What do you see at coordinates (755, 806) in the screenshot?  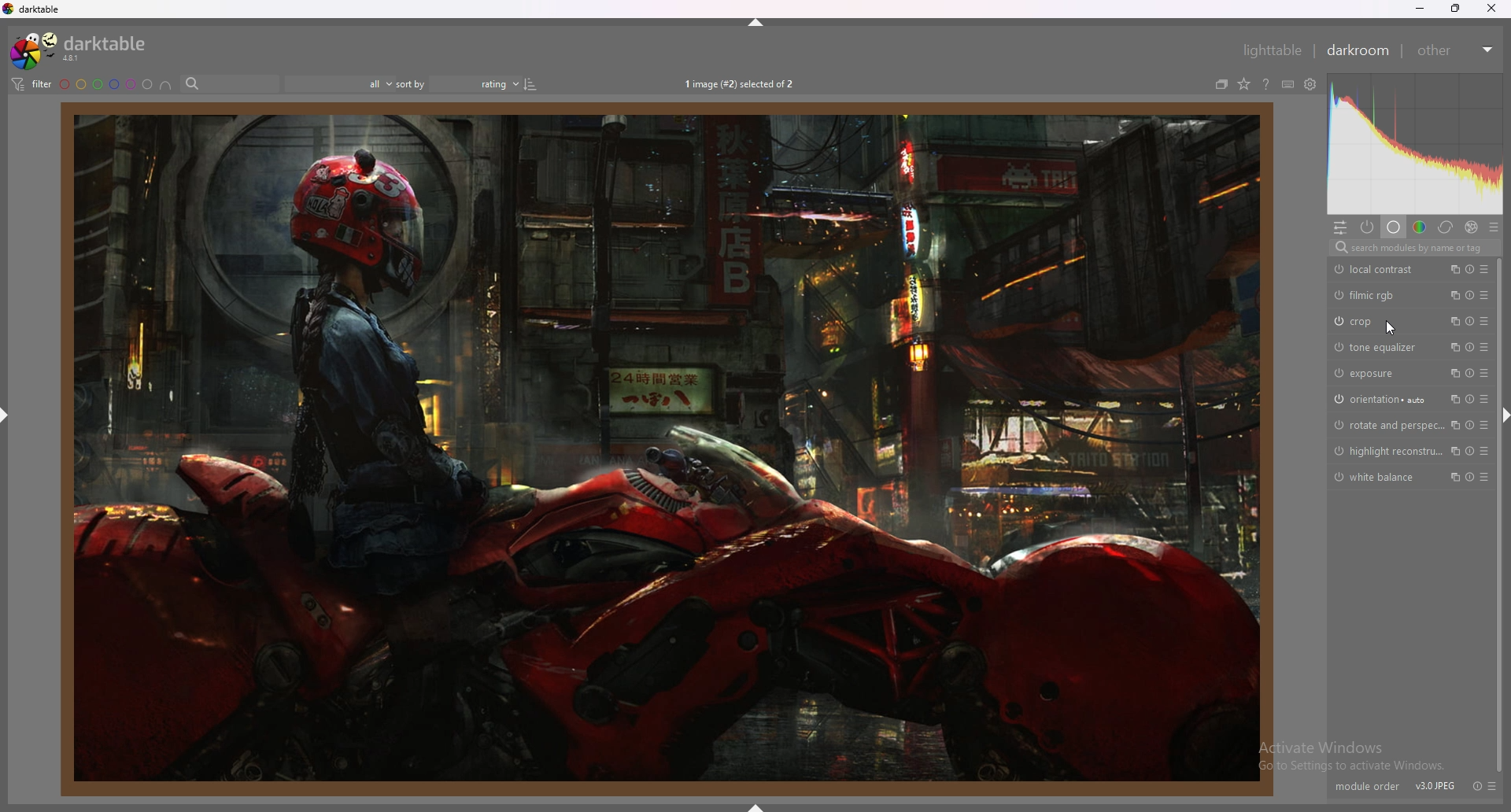 I see `hide` at bounding box center [755, 806].